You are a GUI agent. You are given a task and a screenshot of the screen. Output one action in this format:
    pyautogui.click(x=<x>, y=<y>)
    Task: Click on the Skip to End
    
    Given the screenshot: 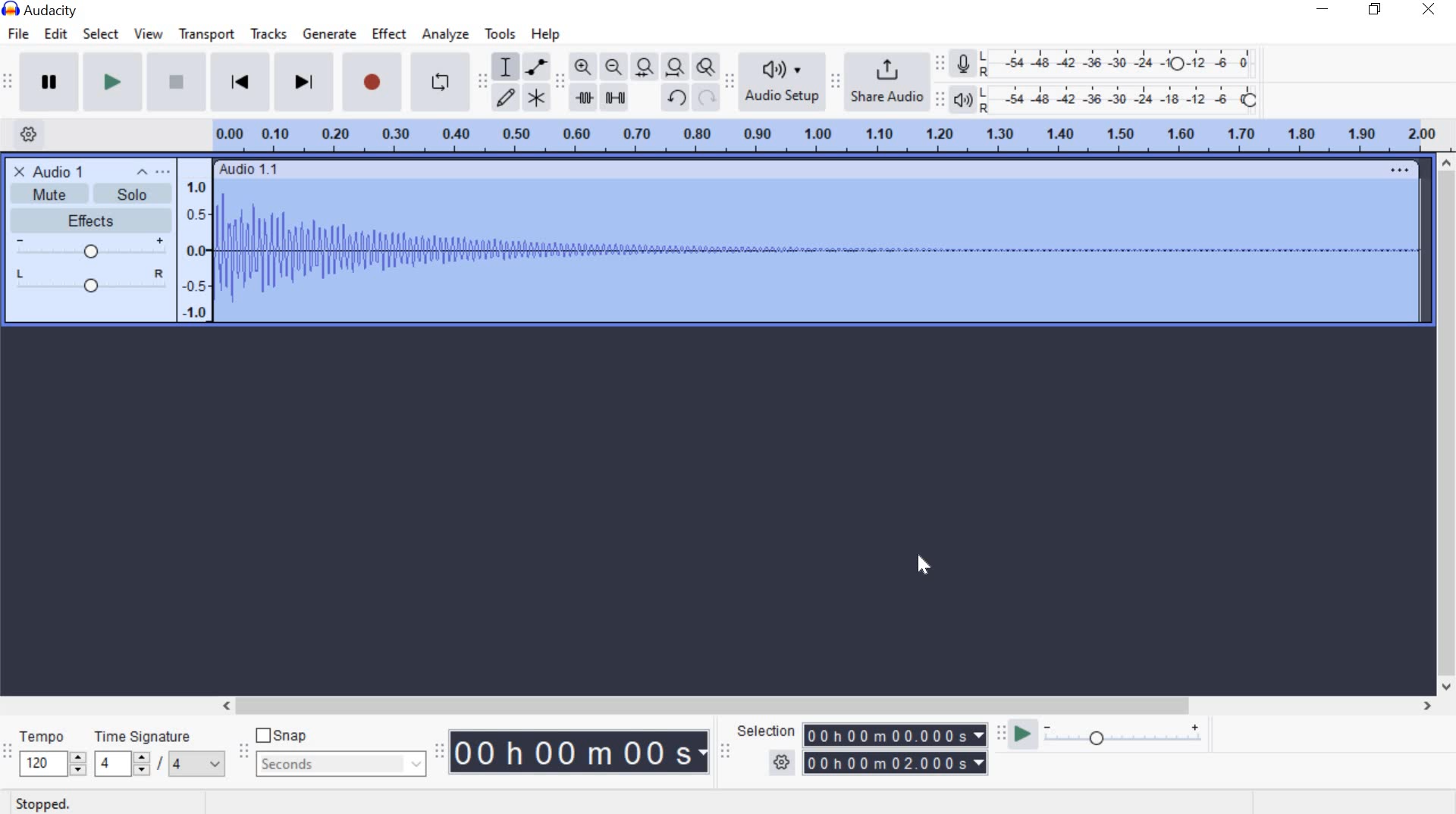 What is the action you would take?
    pyautogui.click(x=304, y=81)
    